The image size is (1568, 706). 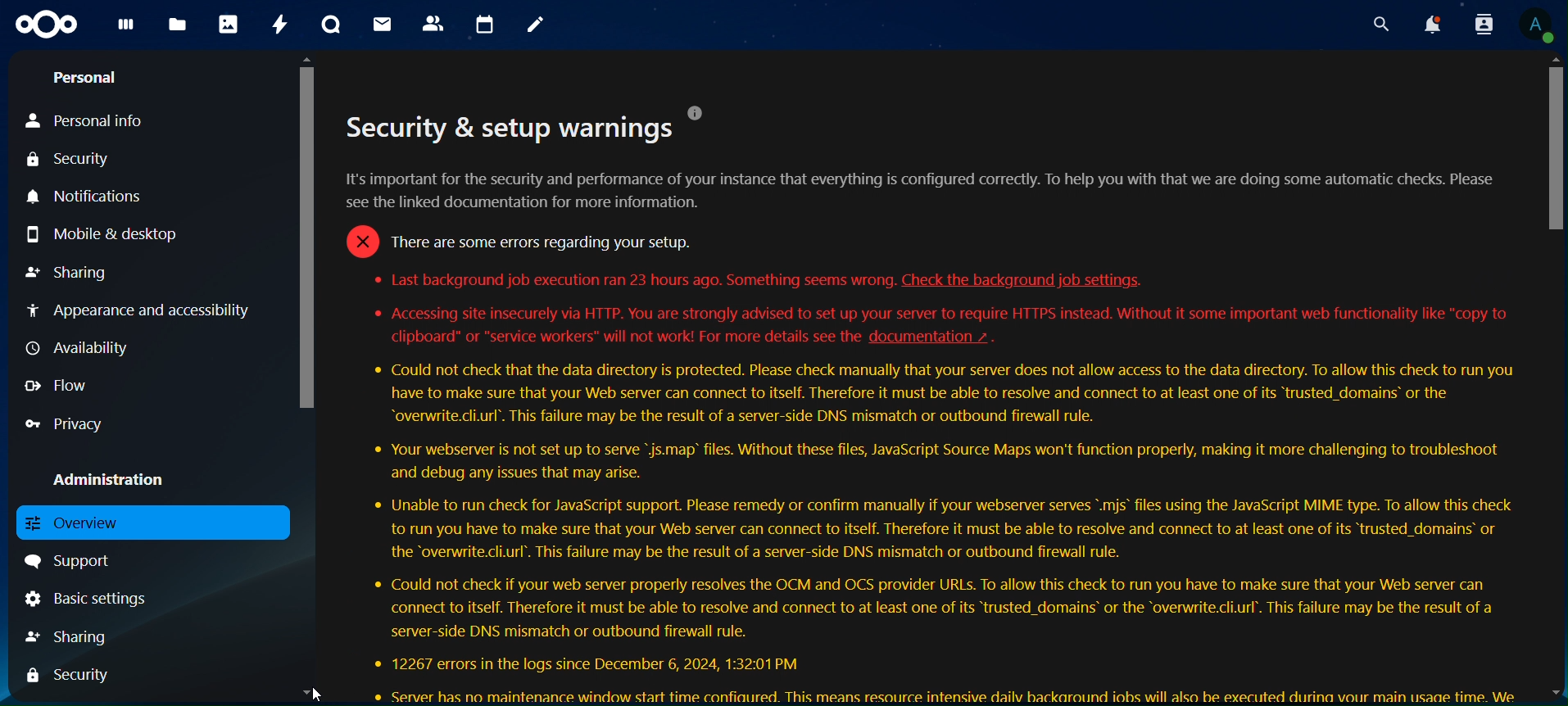 What do you see at coordinates (761, 280) in the screenshot?
I see `« Last background job execution ran 23 hours ago. Something seems wrong. Check the background job settings.` at bounding box center [761, 280].